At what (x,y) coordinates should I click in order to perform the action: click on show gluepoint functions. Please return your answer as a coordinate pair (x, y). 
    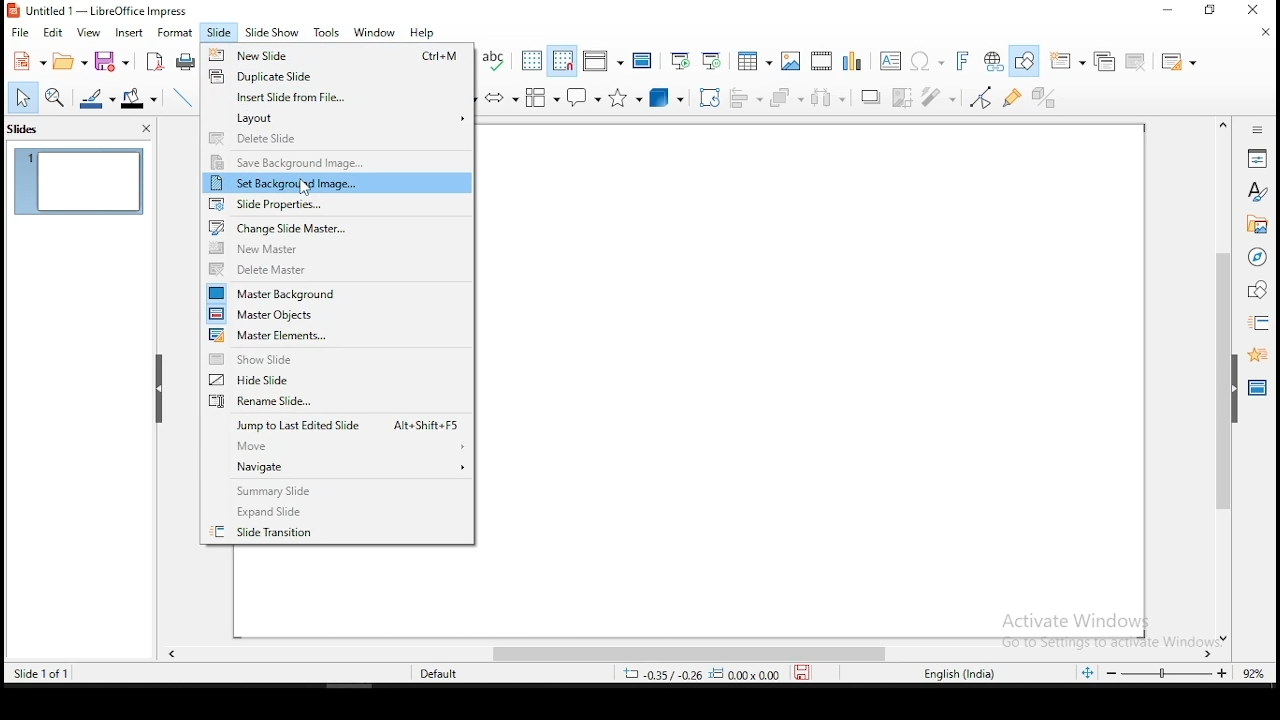
    Looking at the image, I should click on (1013, 96).